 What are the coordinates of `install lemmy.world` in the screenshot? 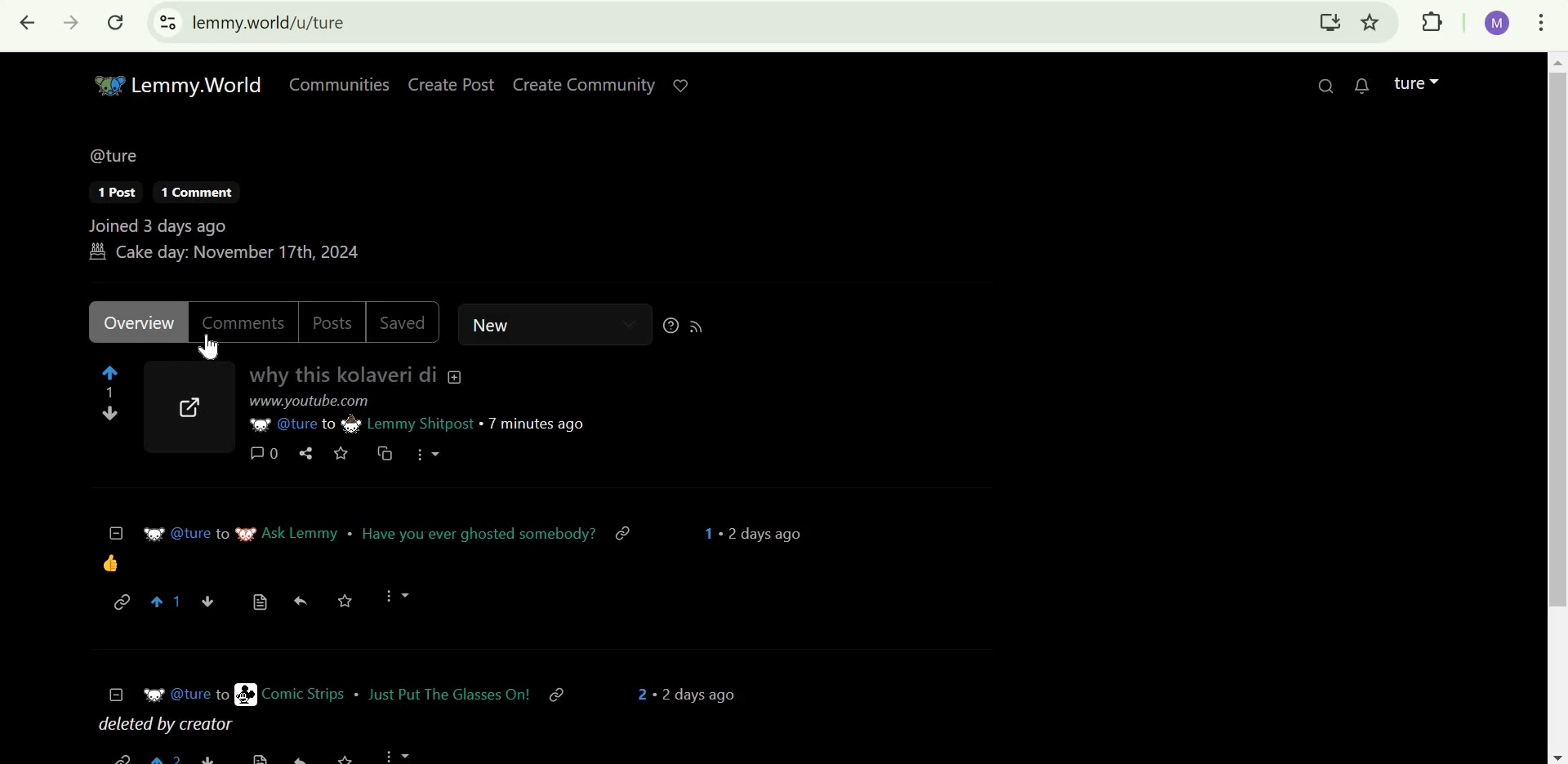 It's located at (1328, 24).